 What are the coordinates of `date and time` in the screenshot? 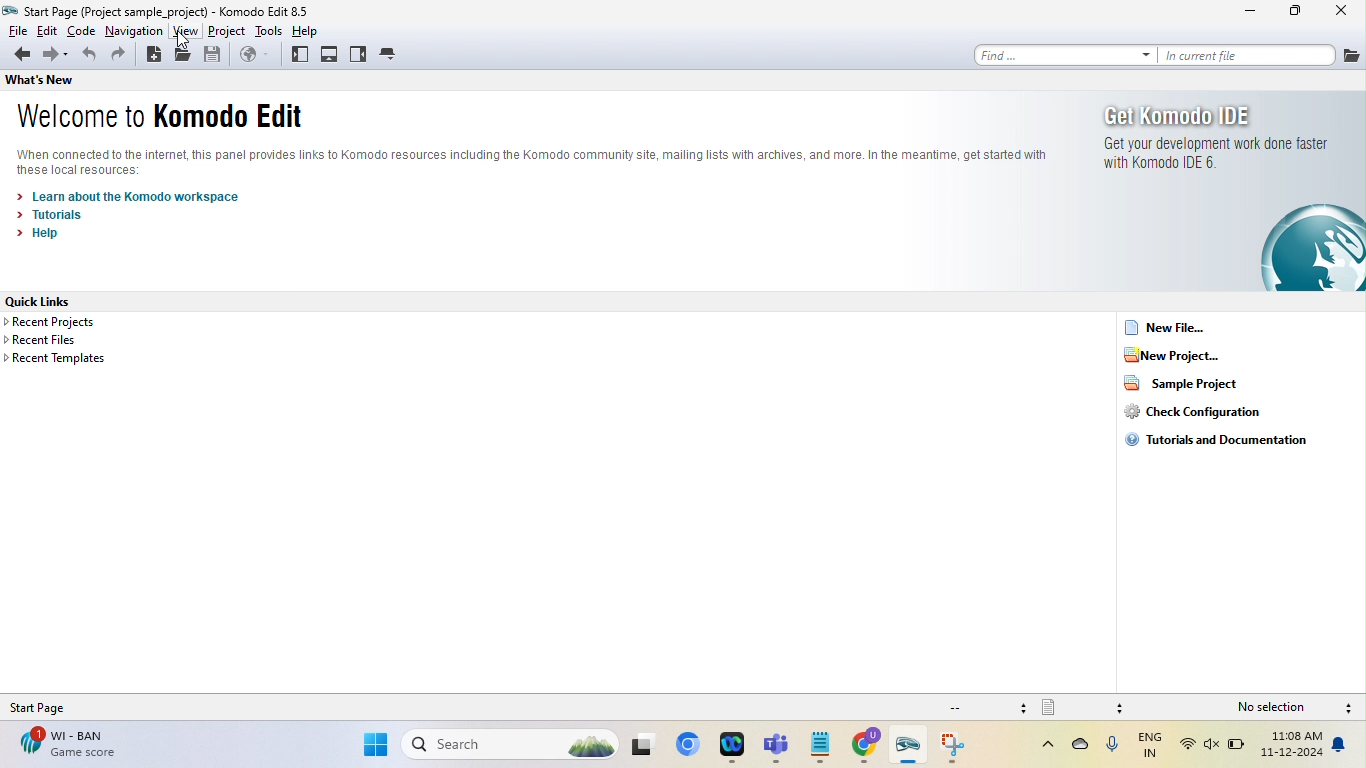 It's located at (1292, 747).